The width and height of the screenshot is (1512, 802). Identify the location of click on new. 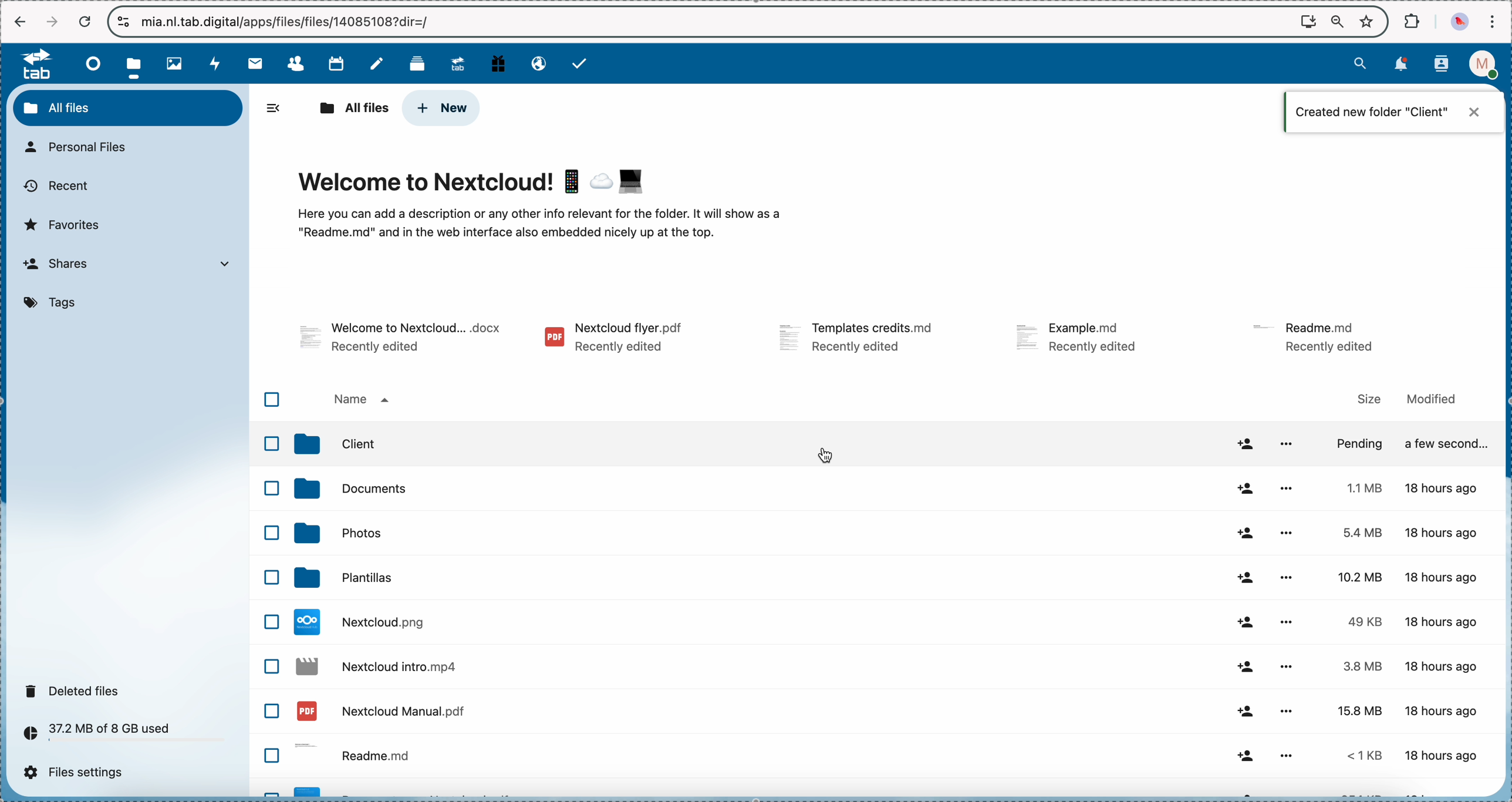
(440, 108).